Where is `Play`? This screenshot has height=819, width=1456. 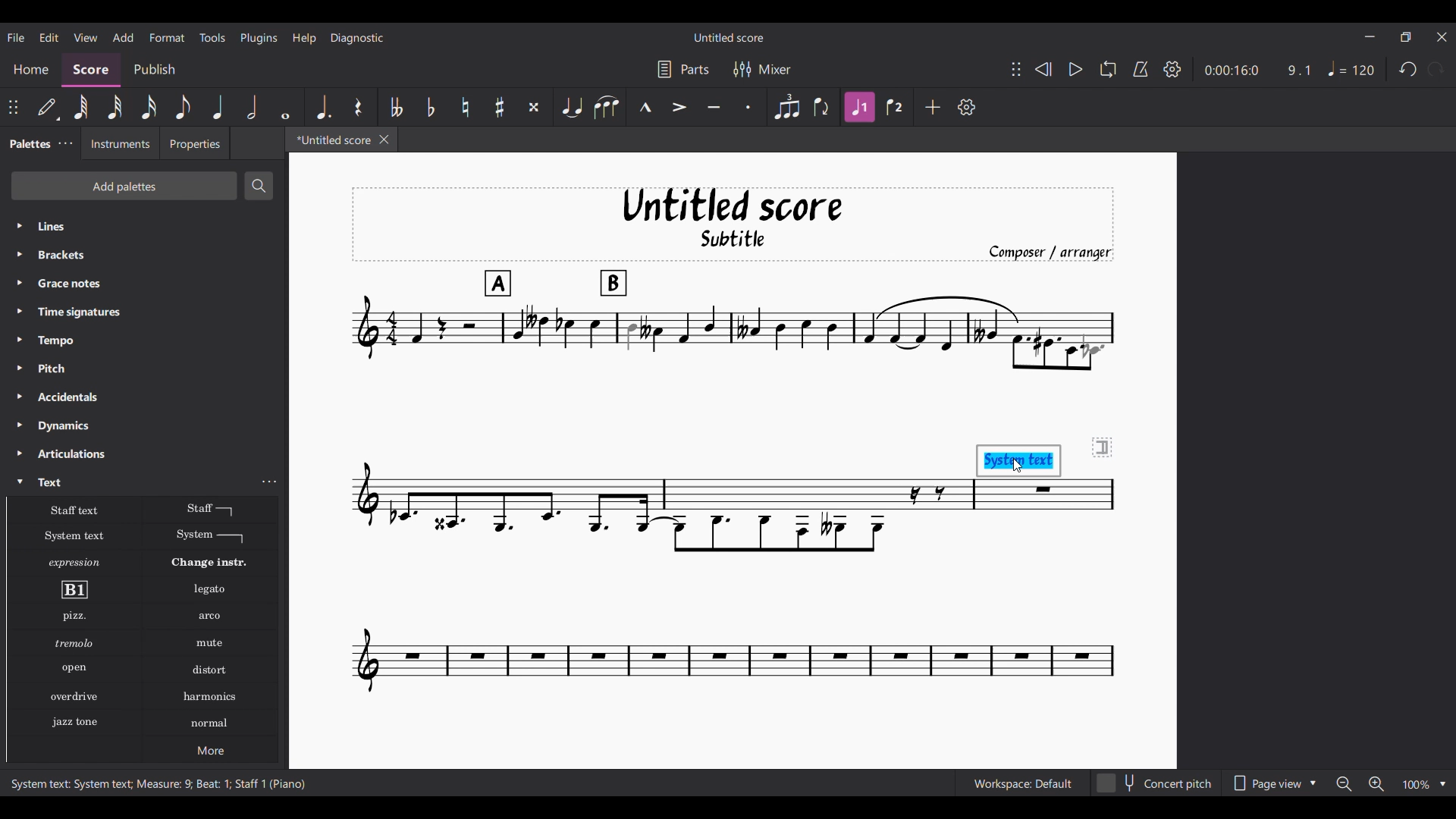
Play is located at coordinates (1075, 69).